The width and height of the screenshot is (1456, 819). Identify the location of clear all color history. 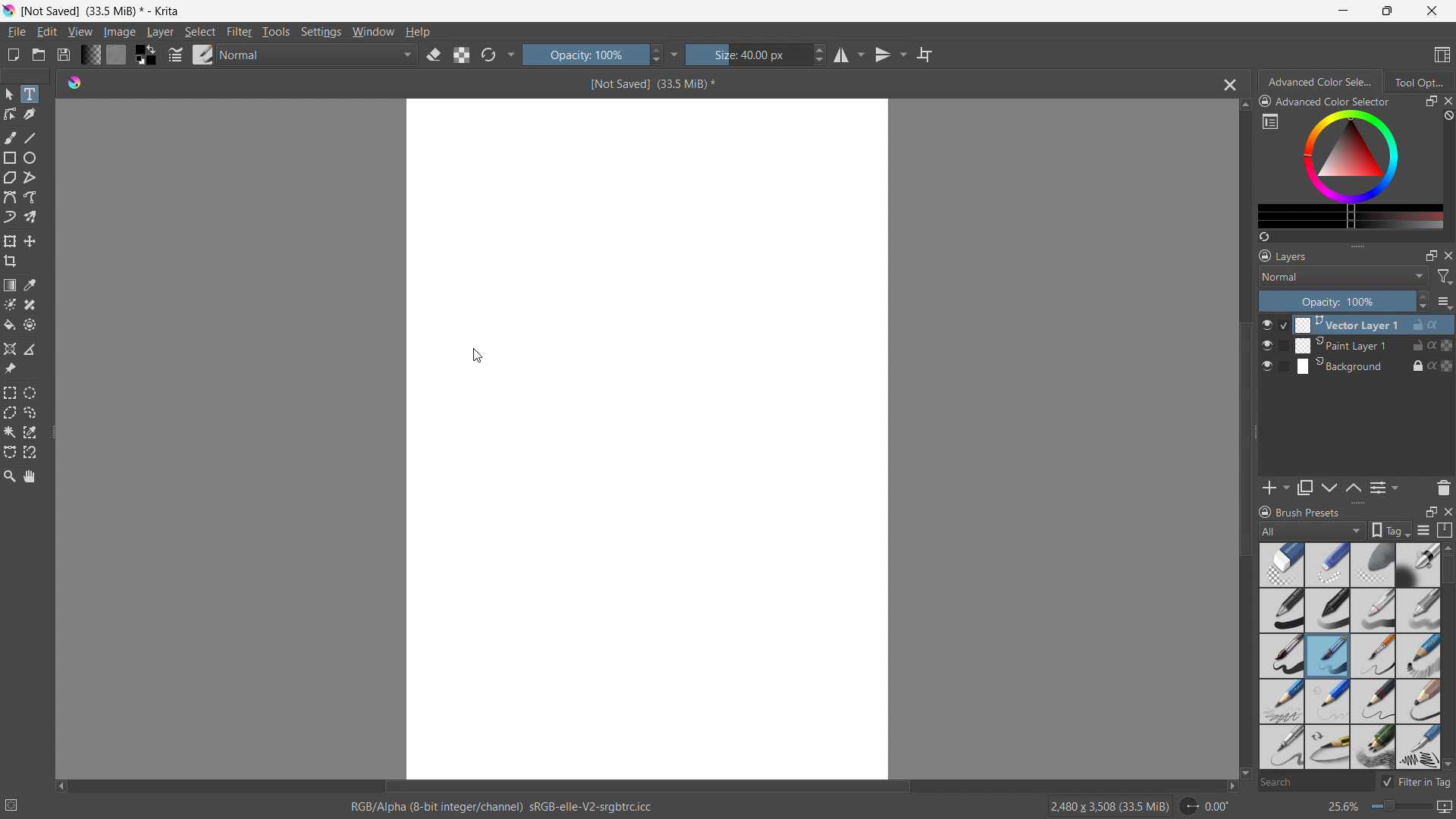
(1447, 116).